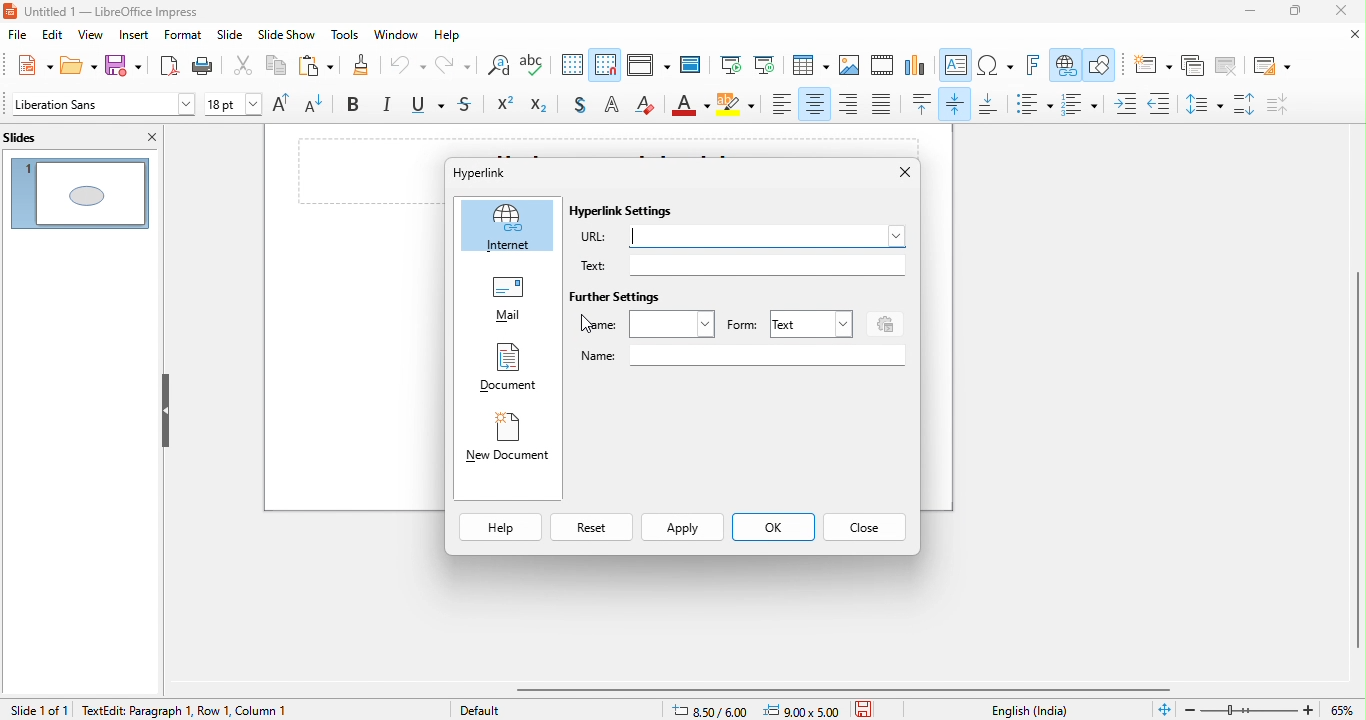 The width and height of the screenshot is (1366, 720). What do you see at coordinates (647, 67) in the screenshot?
I see `display view` at bounding box center [647, 67].